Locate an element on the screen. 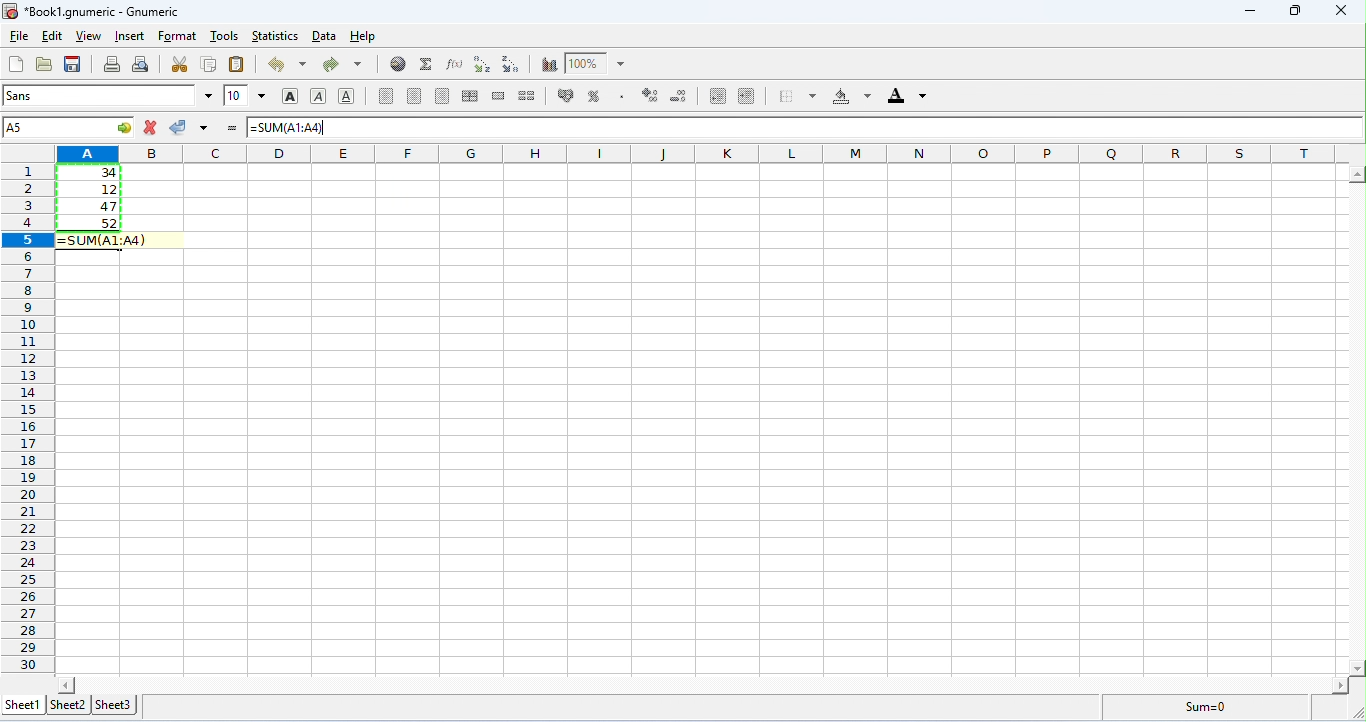 The image size is (1366, 722). insert chart is located at coordinates (549, 65).